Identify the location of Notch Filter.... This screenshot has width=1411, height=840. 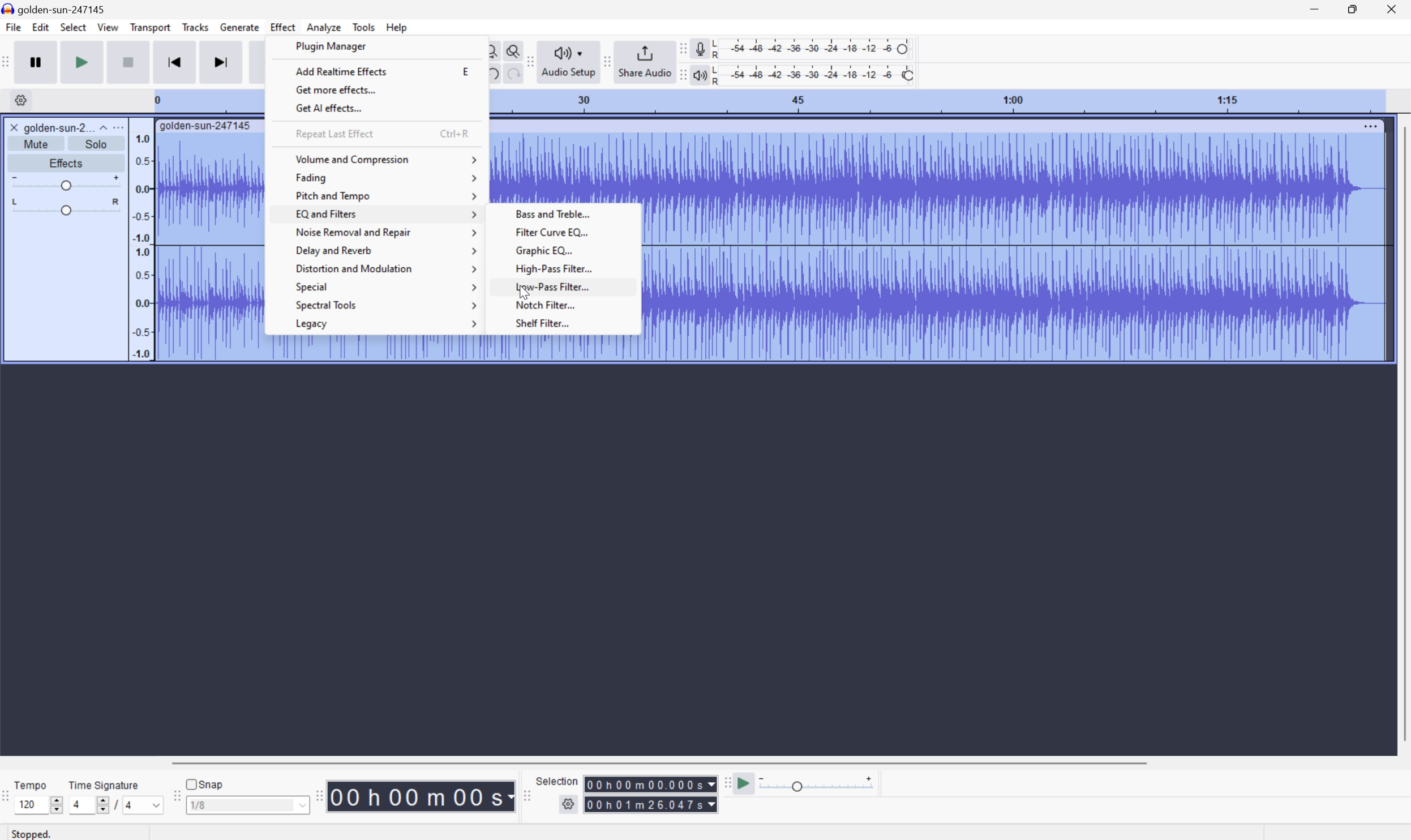
(572, 305).